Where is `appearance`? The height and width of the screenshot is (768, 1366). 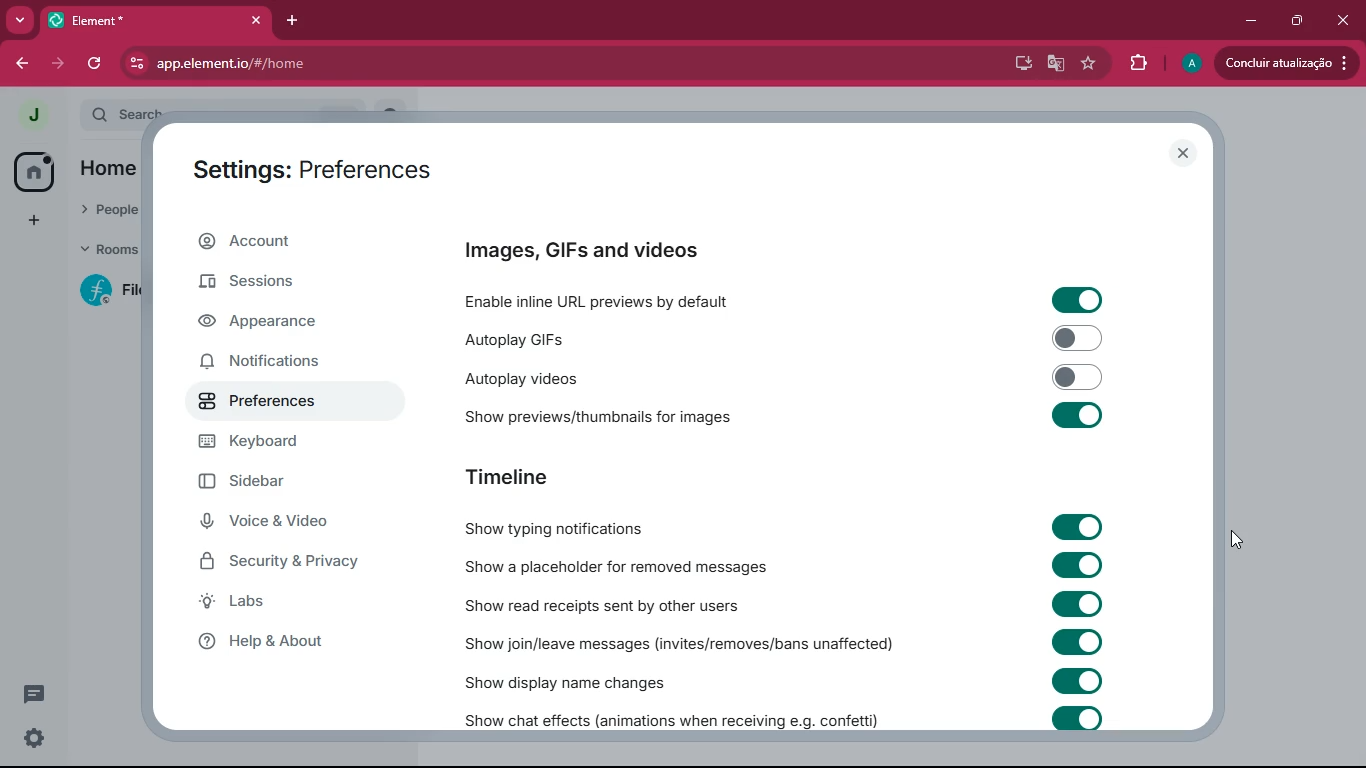
appearance is located at coordinates (276, 323).